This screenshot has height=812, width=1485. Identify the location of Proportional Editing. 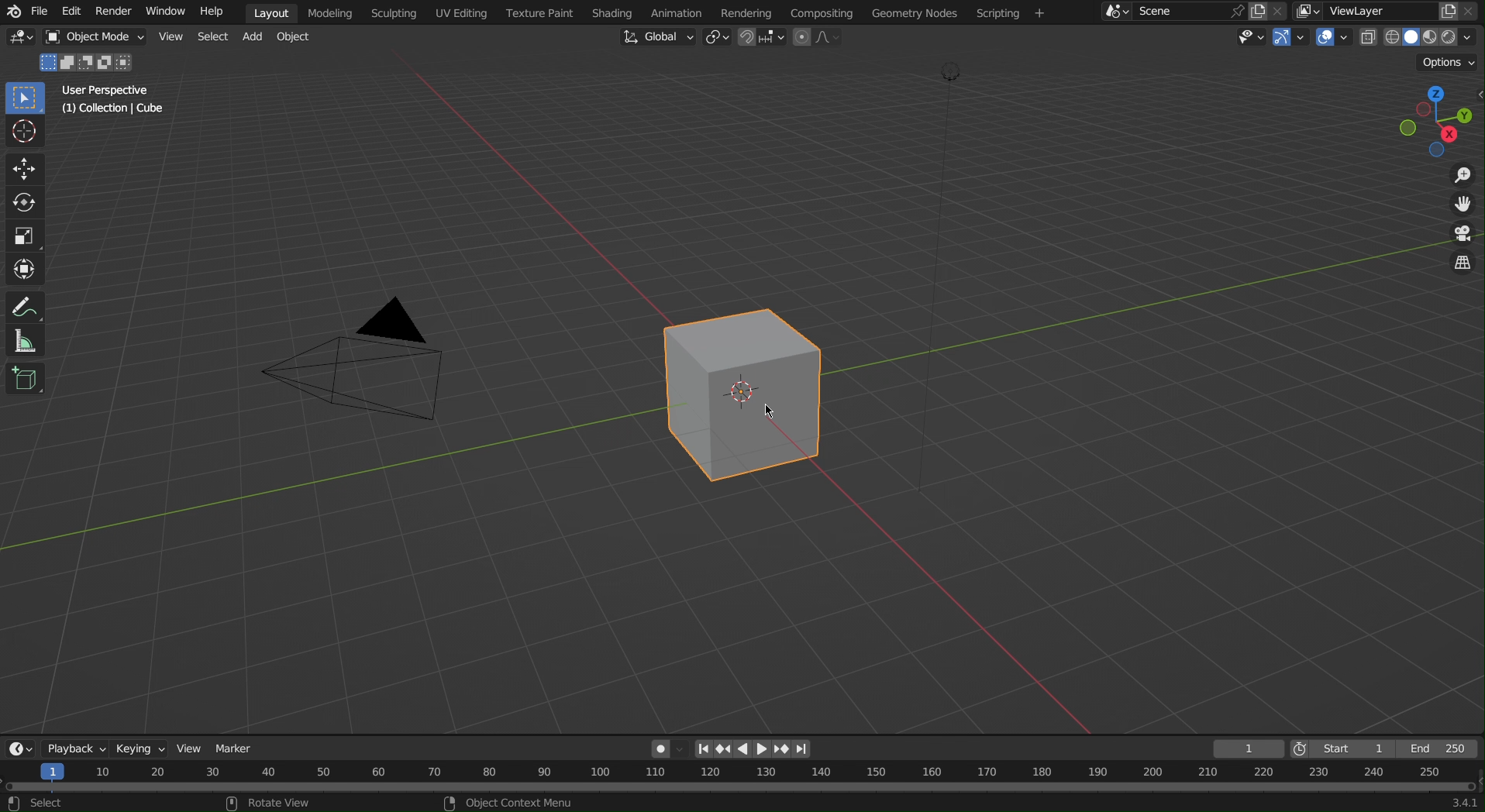
(820, 38).